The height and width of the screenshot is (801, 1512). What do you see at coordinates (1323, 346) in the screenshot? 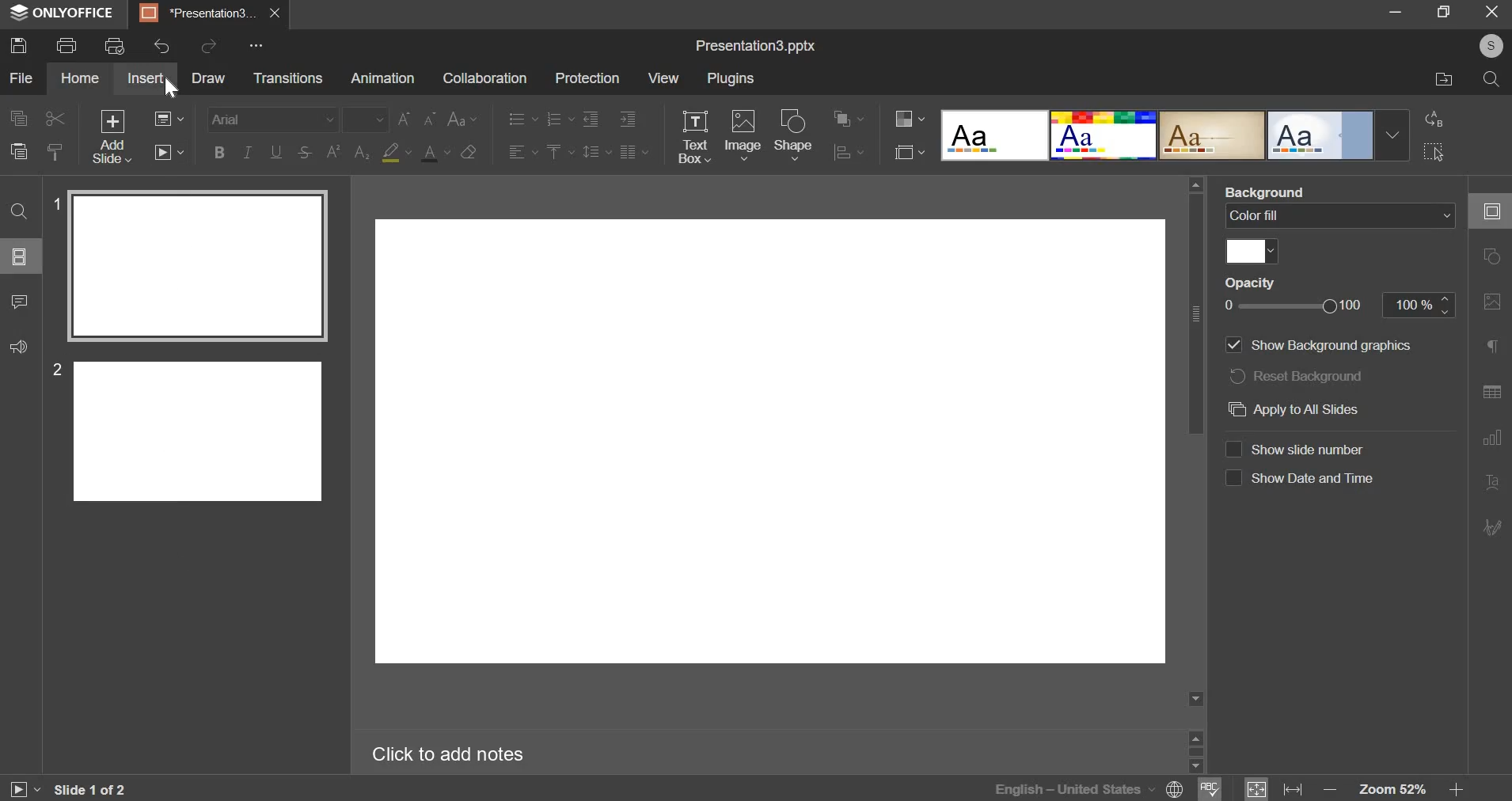
I see `background graphics` at bounding box center [1323, 346].